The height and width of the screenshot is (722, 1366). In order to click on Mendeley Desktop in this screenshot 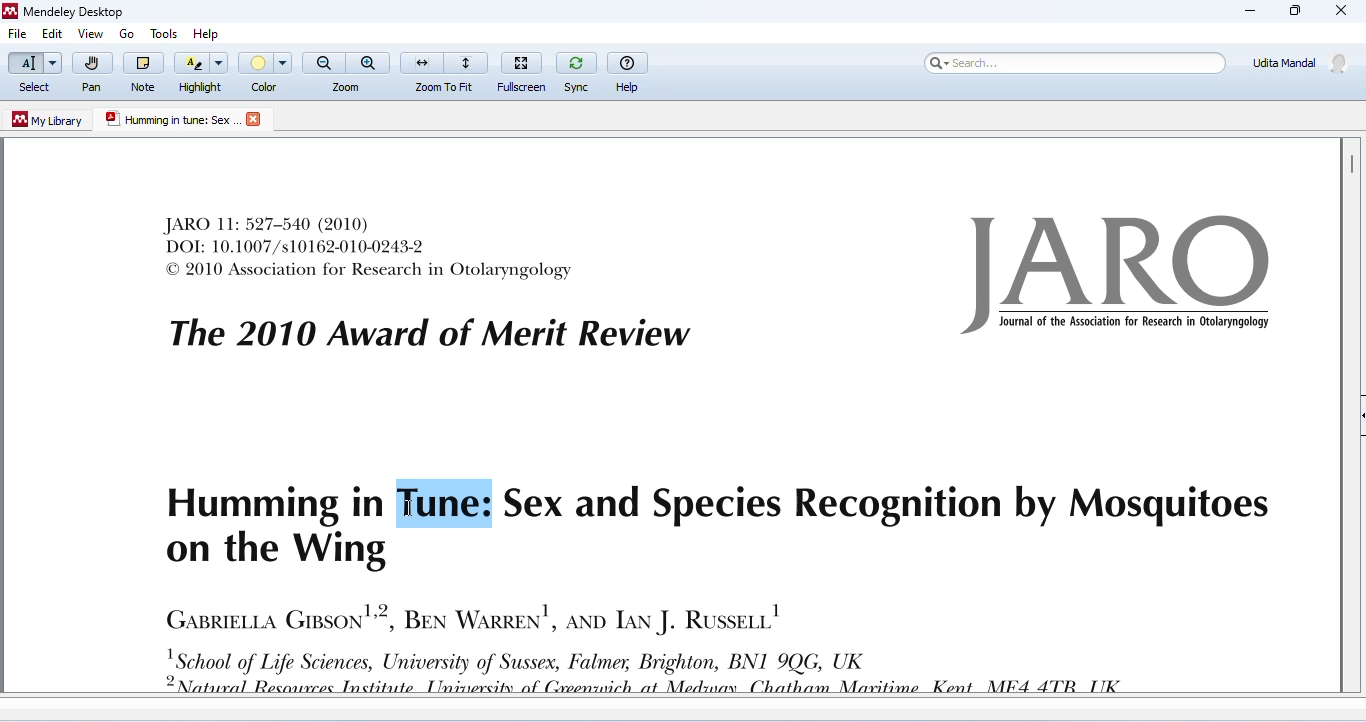, I will do `click(63, 13)`.